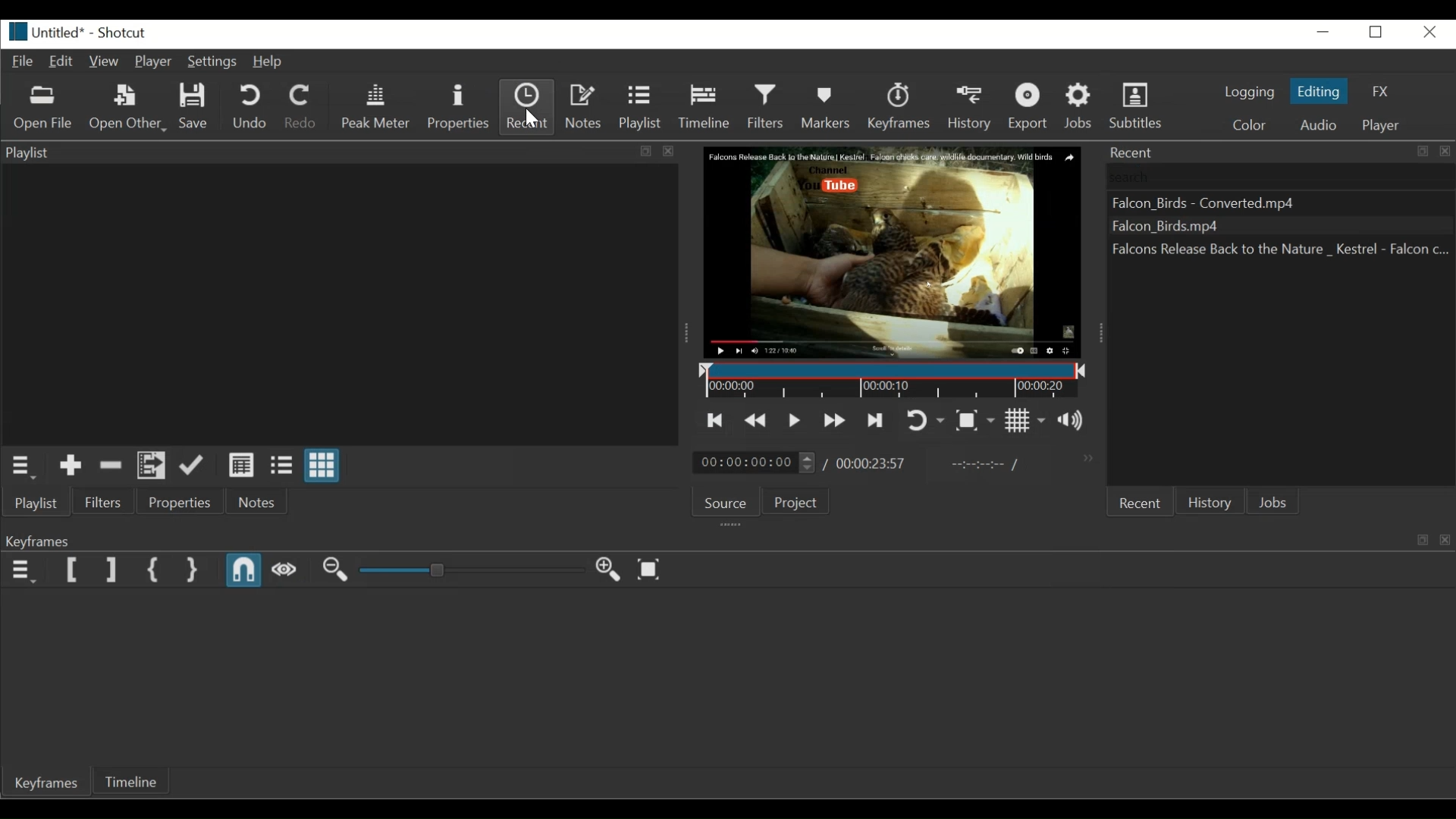  What do you see at coordinates (974, 420) in the screenshot?
I see `Toggle zoom` at bounding box center [974, 420].